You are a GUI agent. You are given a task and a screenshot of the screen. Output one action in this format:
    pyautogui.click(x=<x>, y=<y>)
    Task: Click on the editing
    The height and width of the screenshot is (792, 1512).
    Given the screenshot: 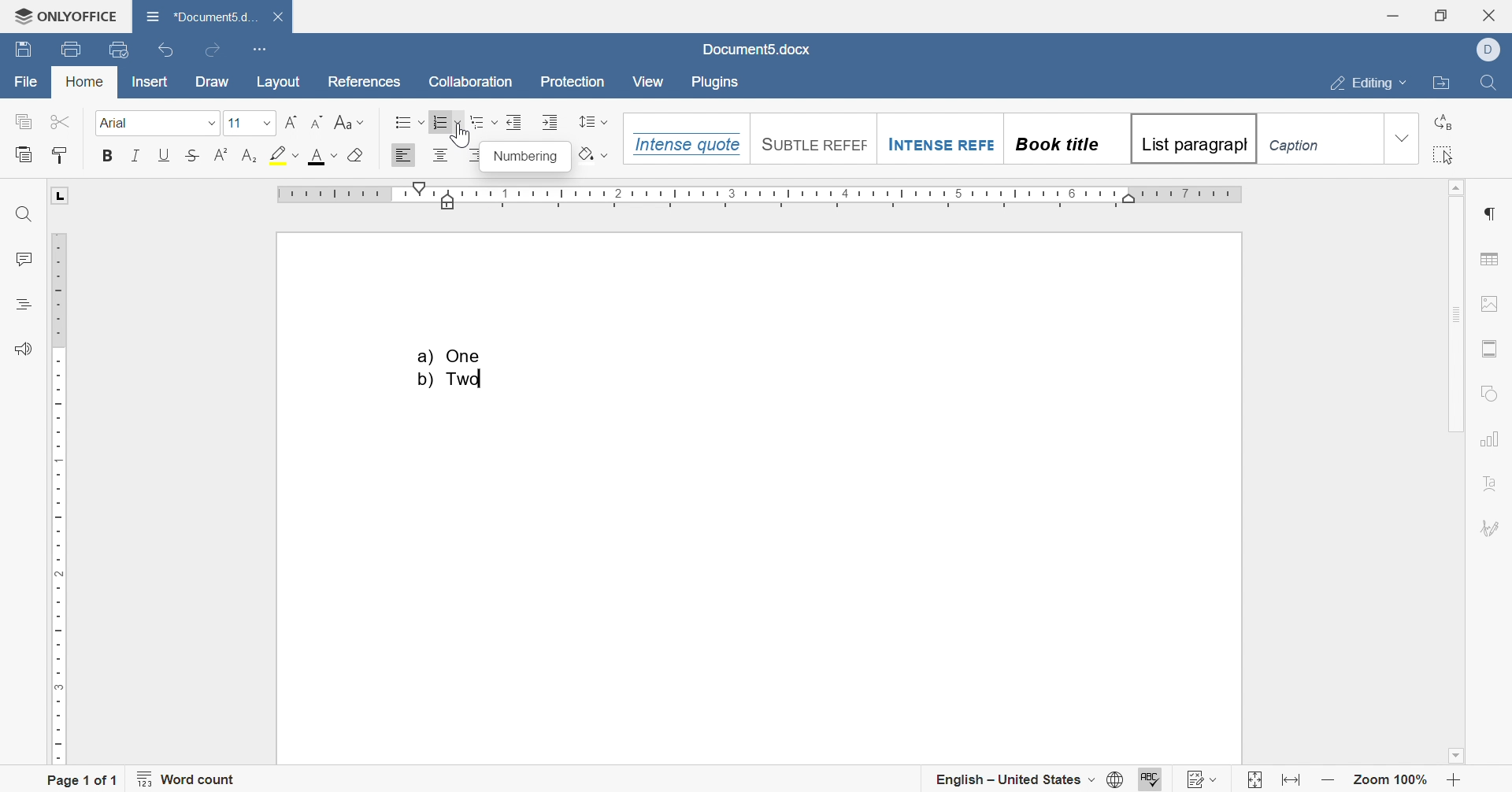 What is the action you would take?
    pyautogui.click(x=1370, y=83)
    